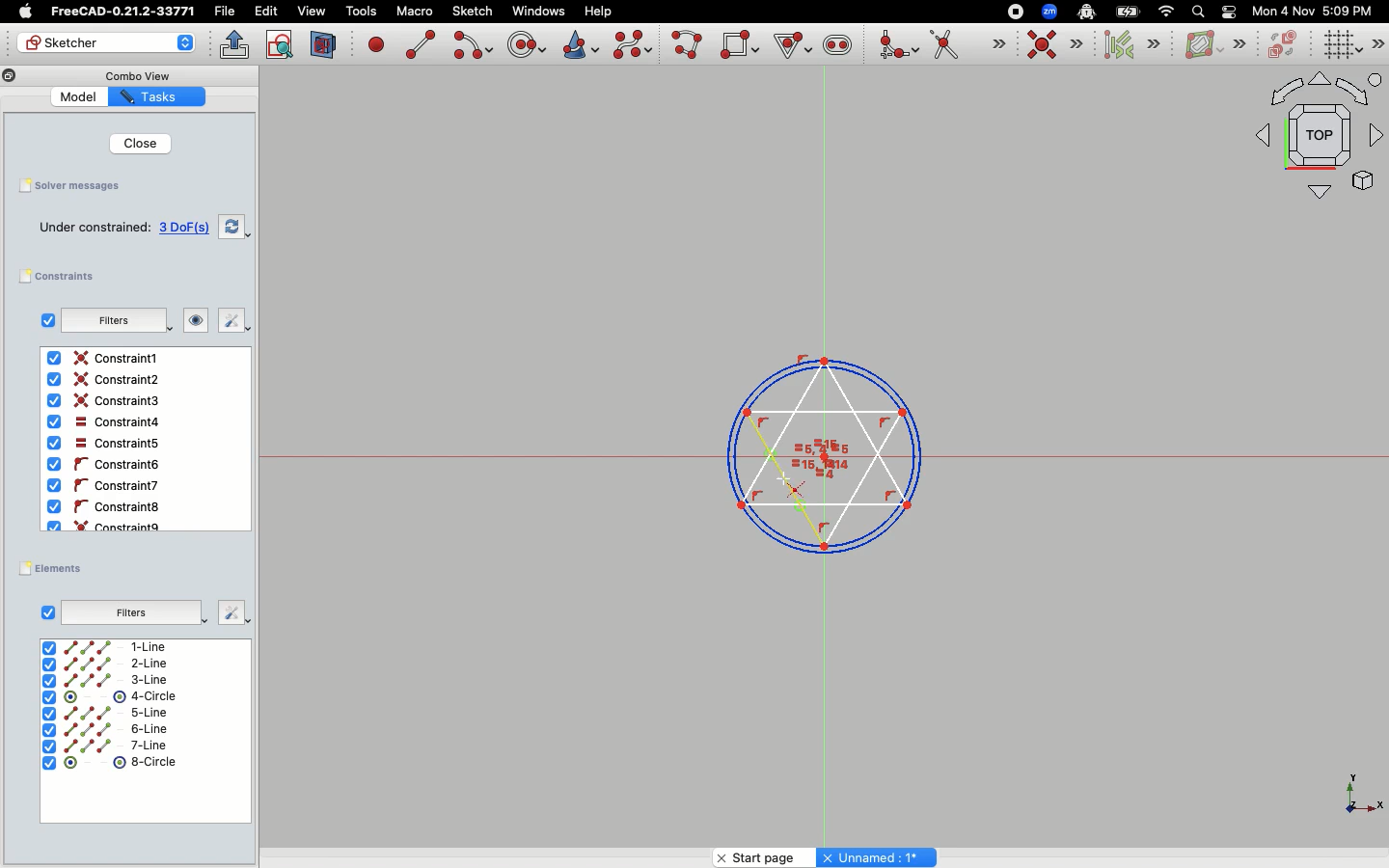  Describe the element at coordinates (111, 697) in the screenshot. I see `4-Circle` at that location.